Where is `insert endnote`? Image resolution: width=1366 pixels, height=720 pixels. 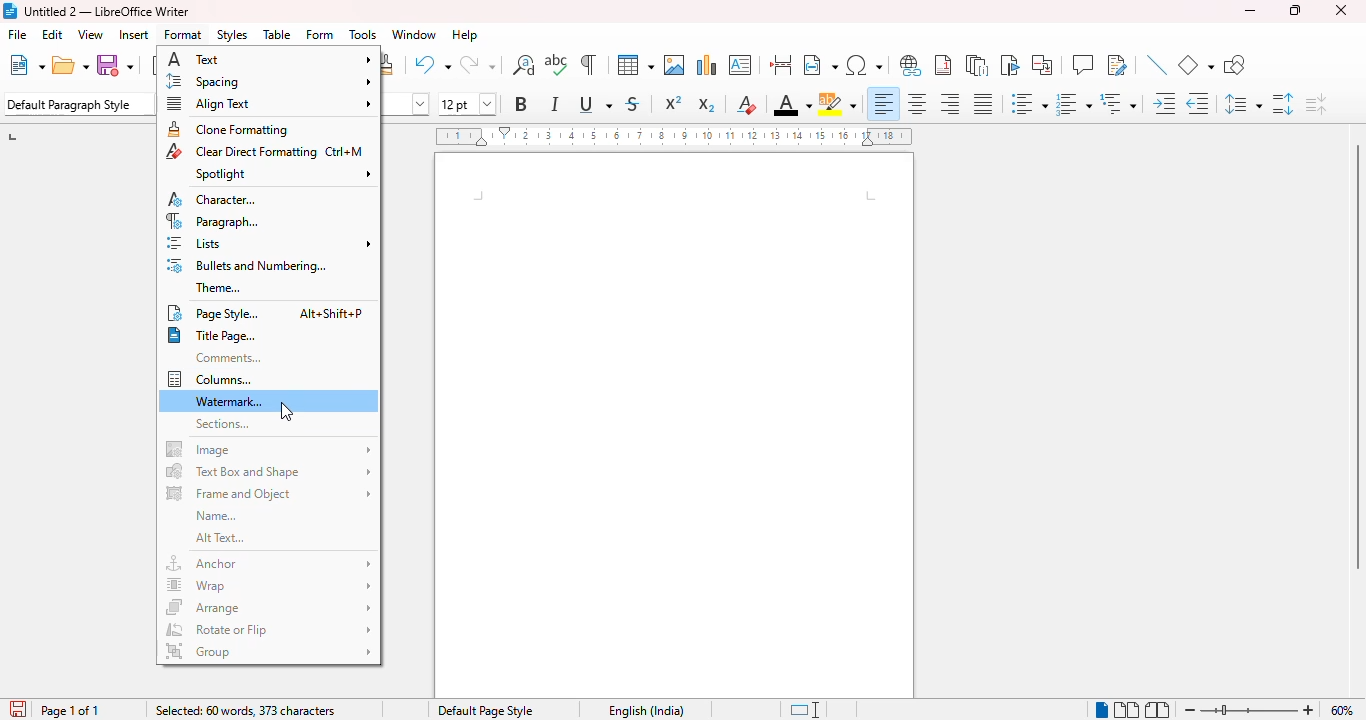 insert endnote is located at coordinates (977, 65).